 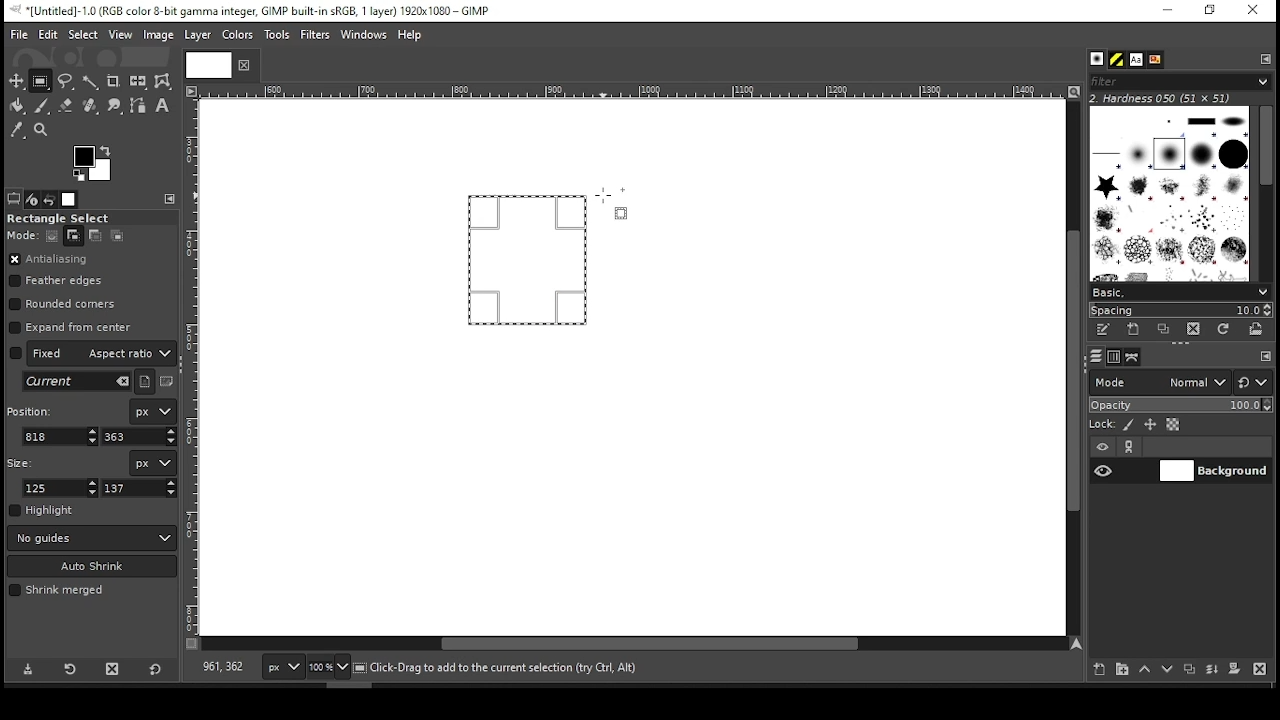 I want to click on , so click(x=205, y=64).